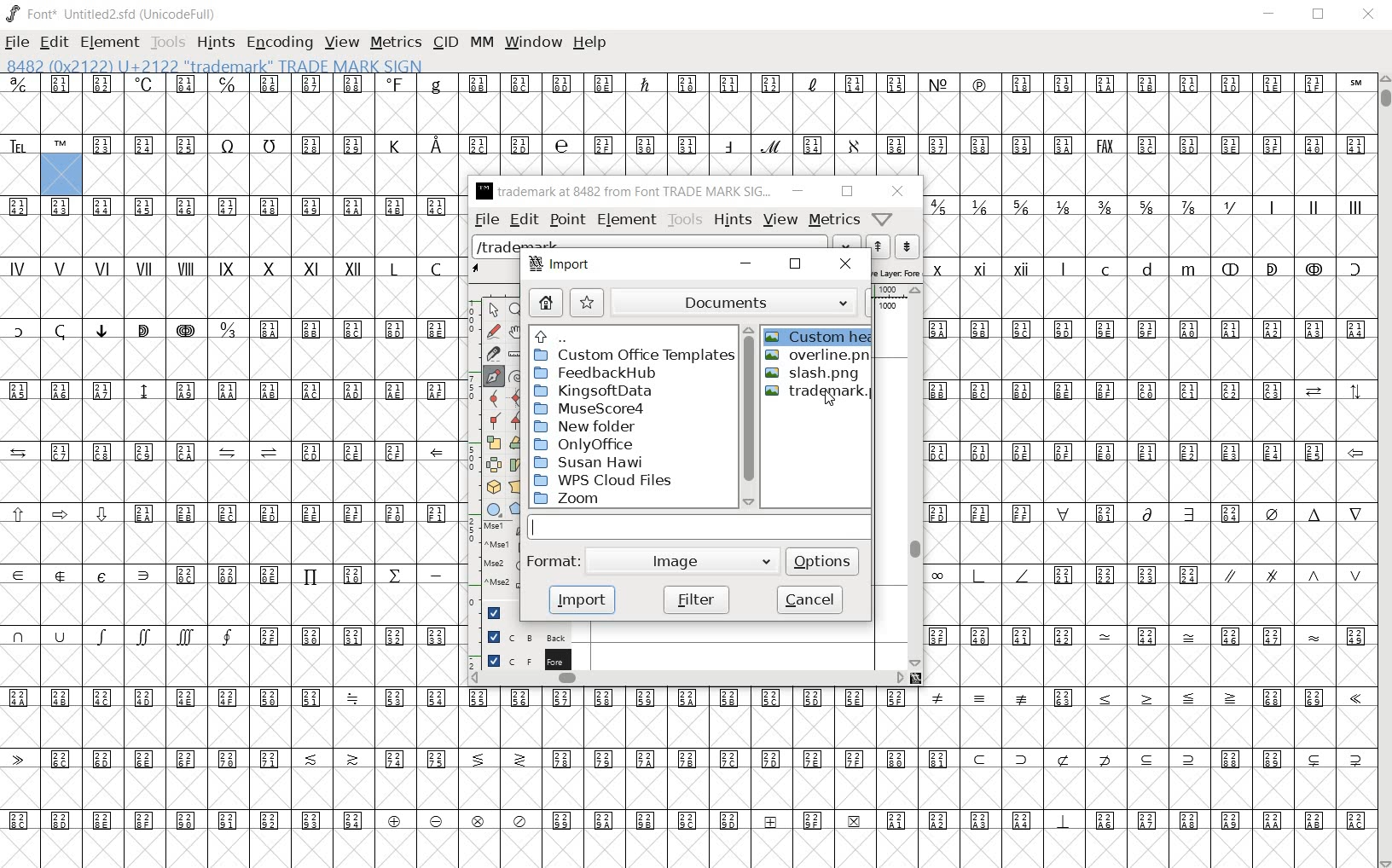 The height and width of the screenshot is (868, 1392). What do you see at coordinates (212, 66) in the screenshot?
I see `8482 (0x2122) U+2122 "trademark" Trade Mark Sign` at bounding box center [212, 66].